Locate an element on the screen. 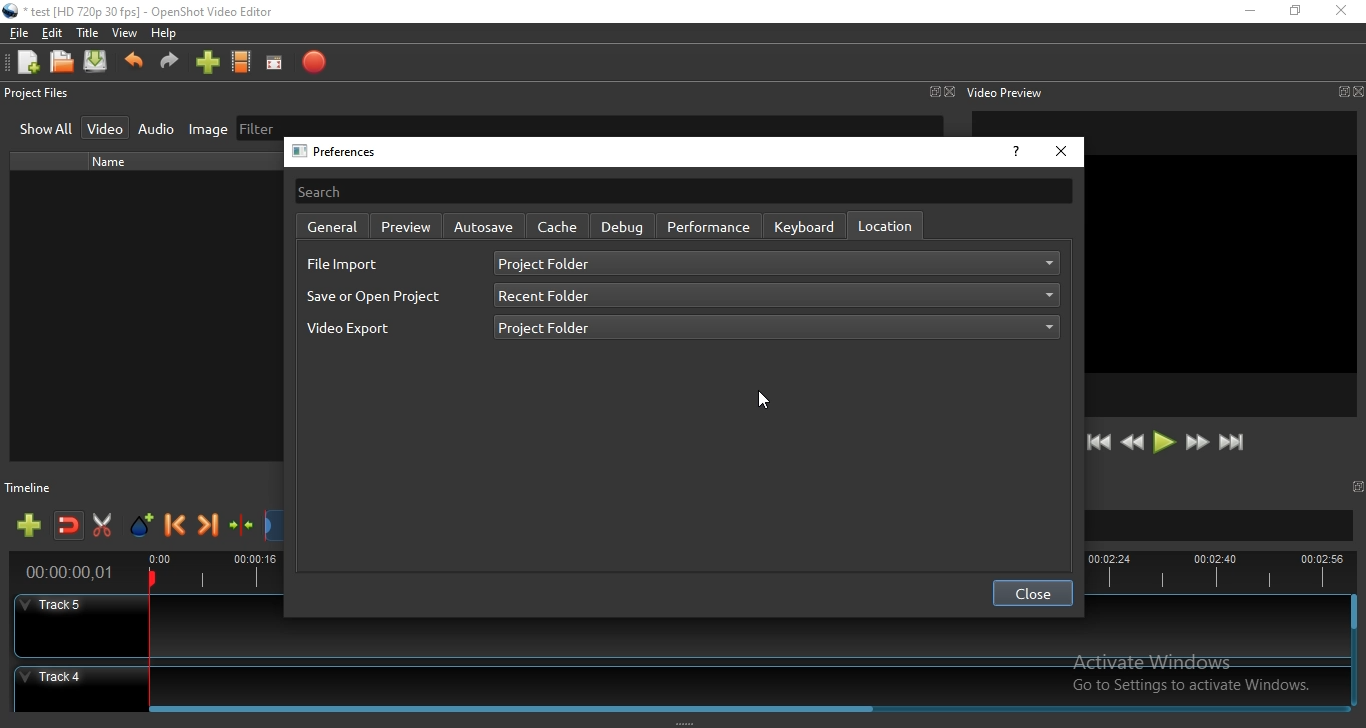 This screenshot has height=728, width=1366. Enable razor is located at coordinates (106, 526).